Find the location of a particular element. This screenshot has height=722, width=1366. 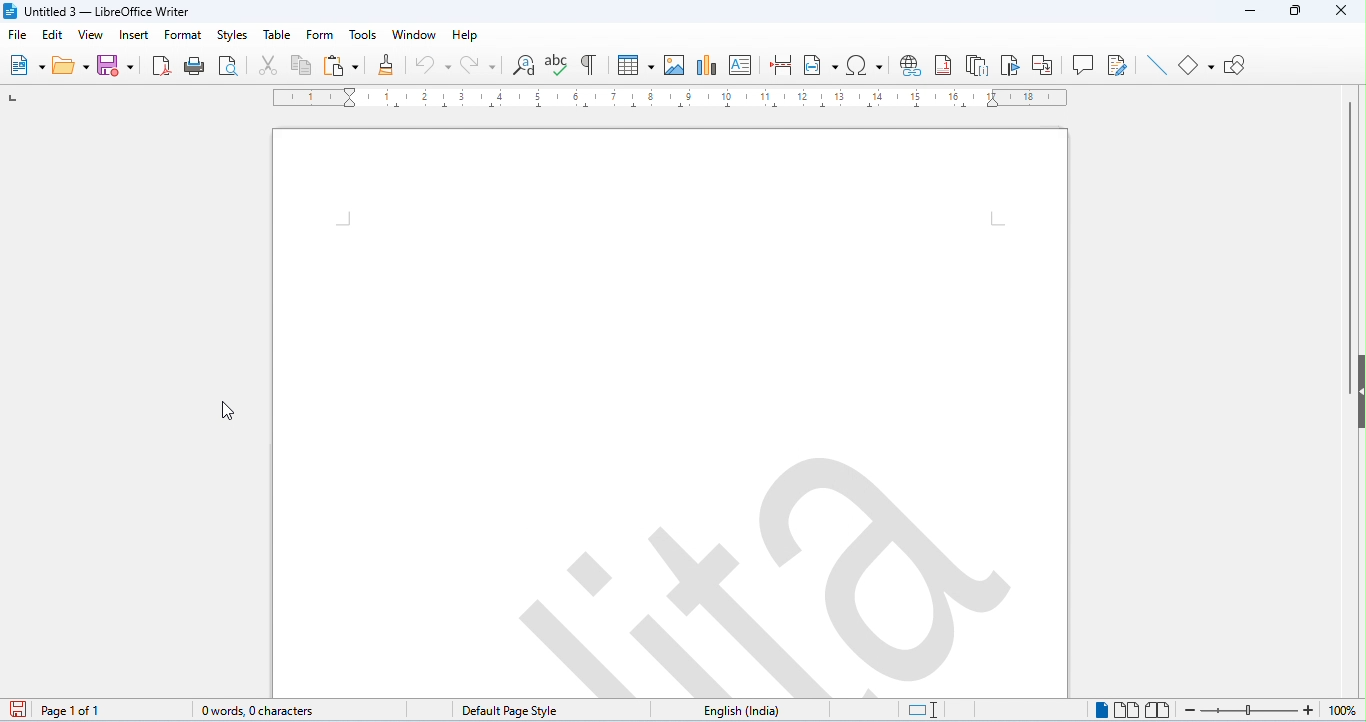

page break is located at coordinates (782, 64).